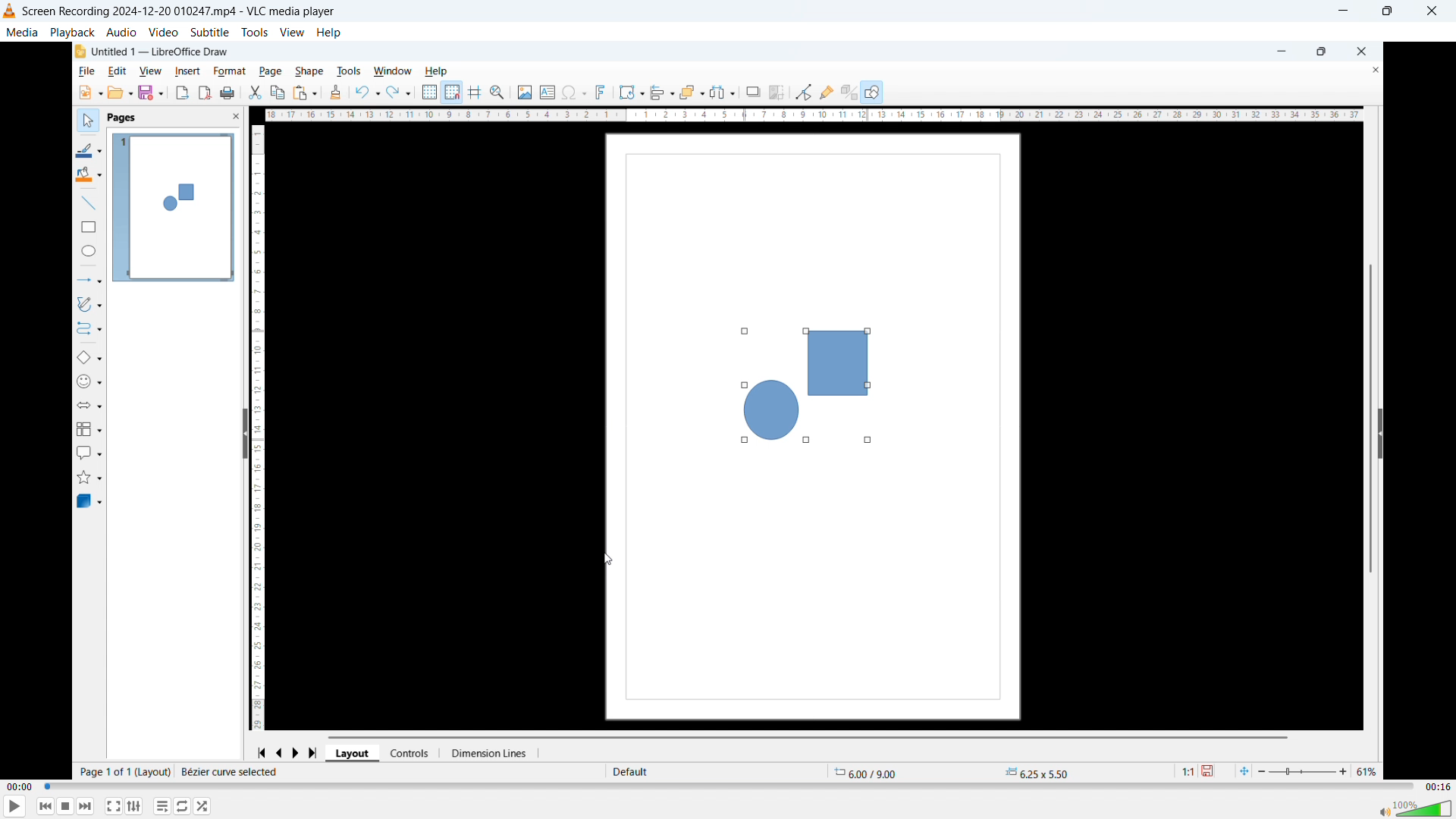 Image resolution: width=1456 pixels, height=819 pixels. Describe the element at coordinates (66, 807) in the screenshot. I see `Stop playback ` at that location.